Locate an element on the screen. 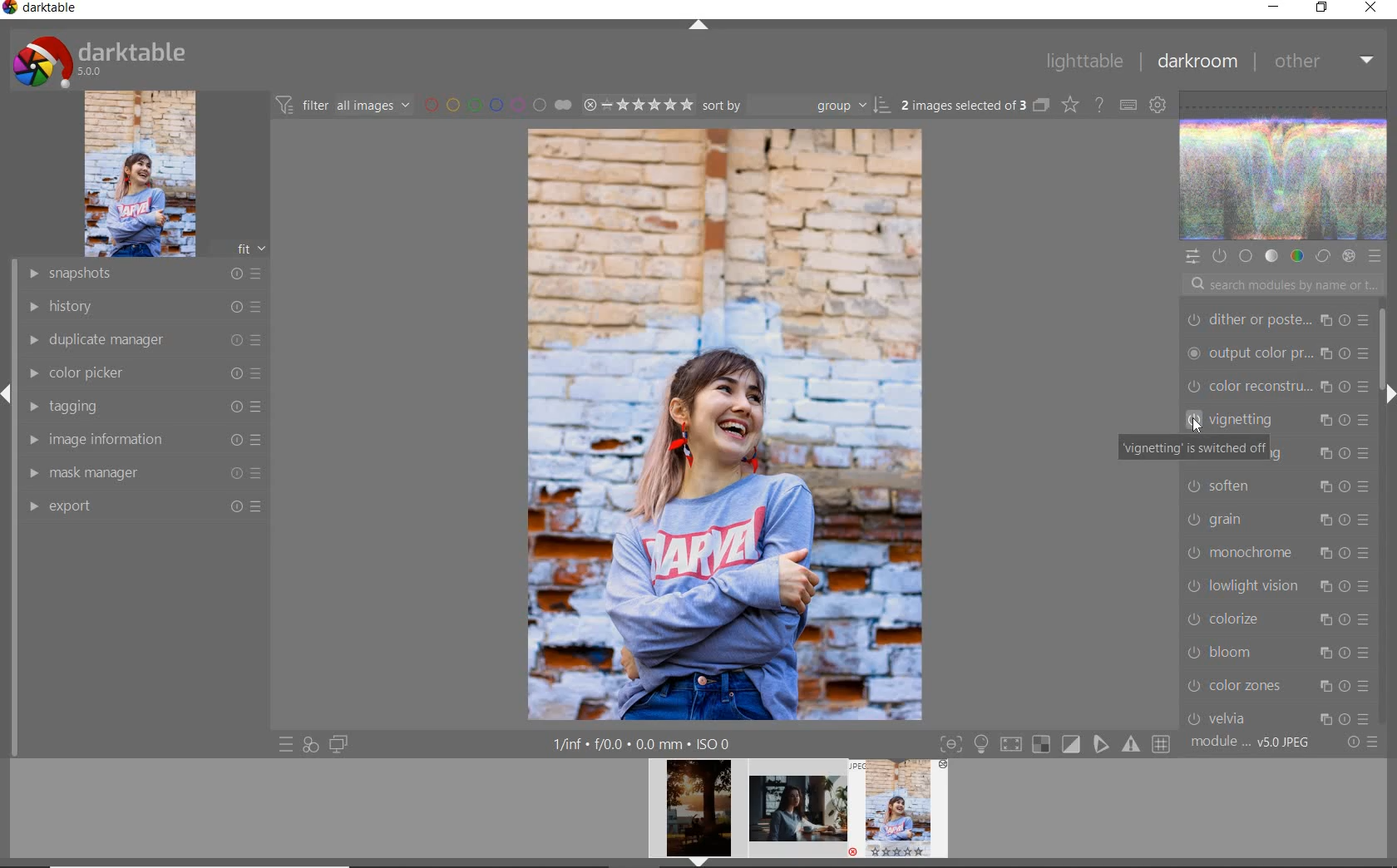 The width and height of the screenshot is (1397, 868). preset is located at coordinates (1375, 256).